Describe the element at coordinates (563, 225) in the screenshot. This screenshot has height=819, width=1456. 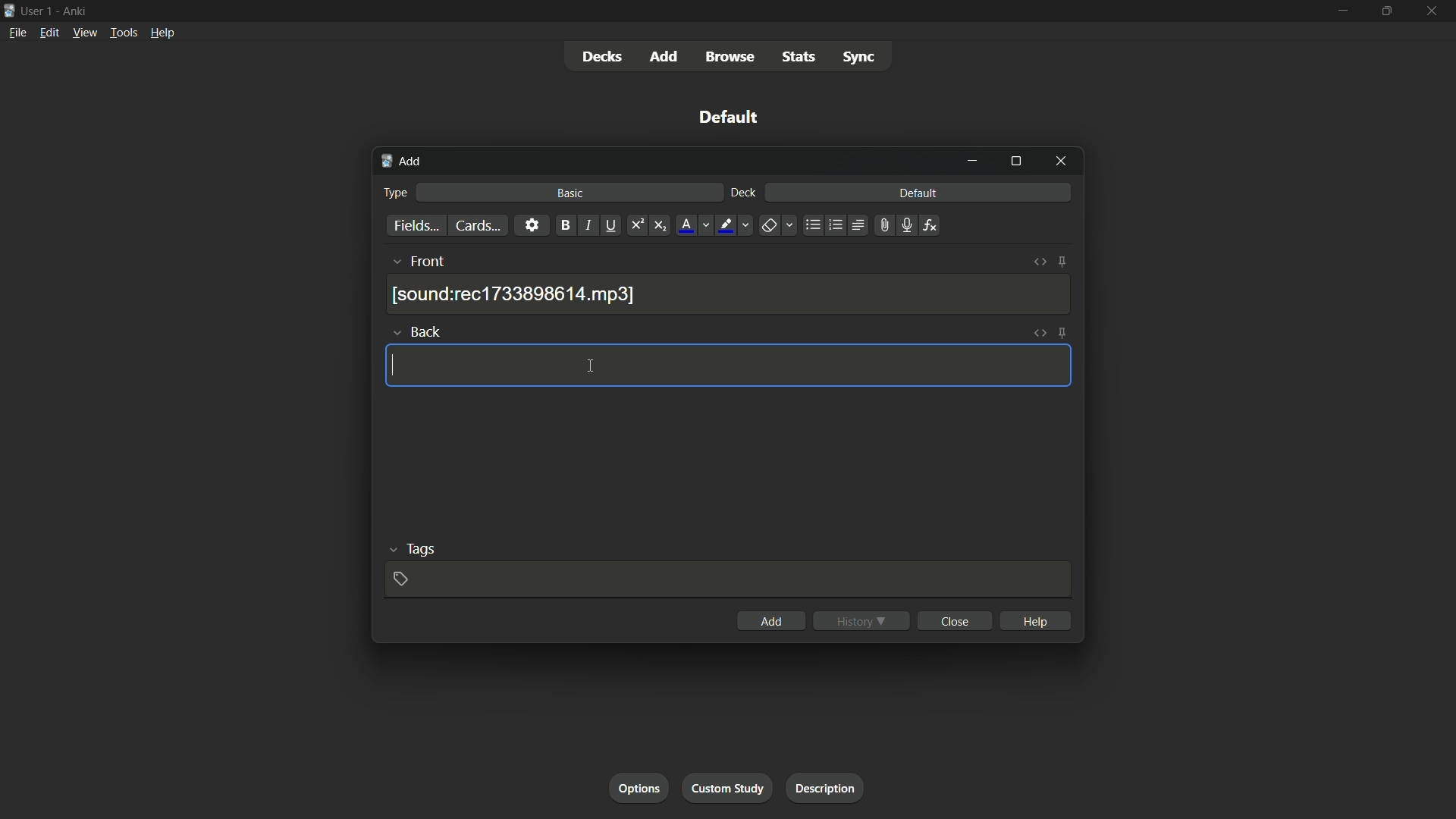
I see `bold` at that location.